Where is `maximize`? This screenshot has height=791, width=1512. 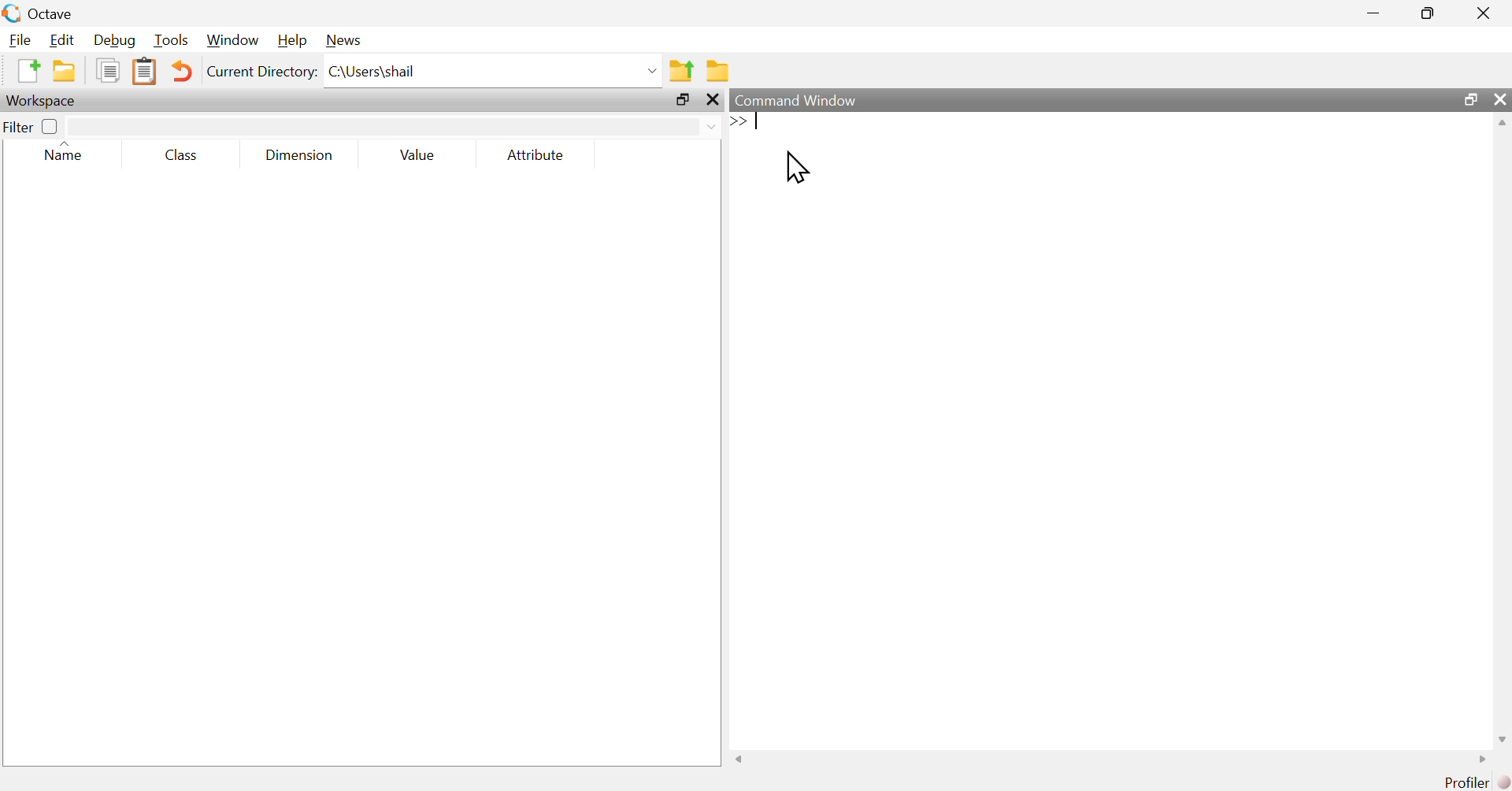 maximize is located at coordinates (682, 101).